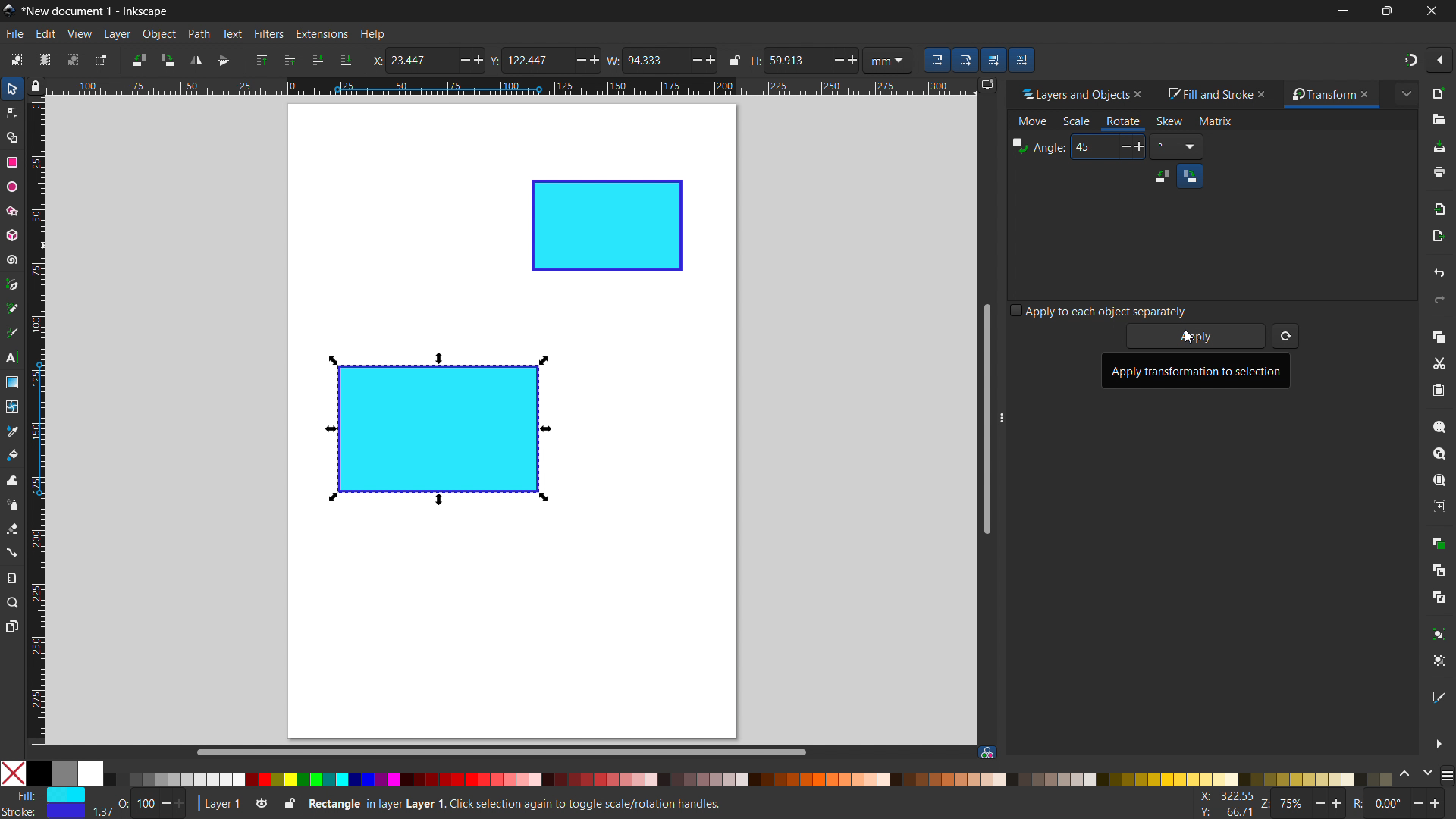 The image size is (1456, 819). Describe the element at coordinates (937, 60) in the screenshot. I see `when scaling objects, scale the stroke width by same proportion` at that location.